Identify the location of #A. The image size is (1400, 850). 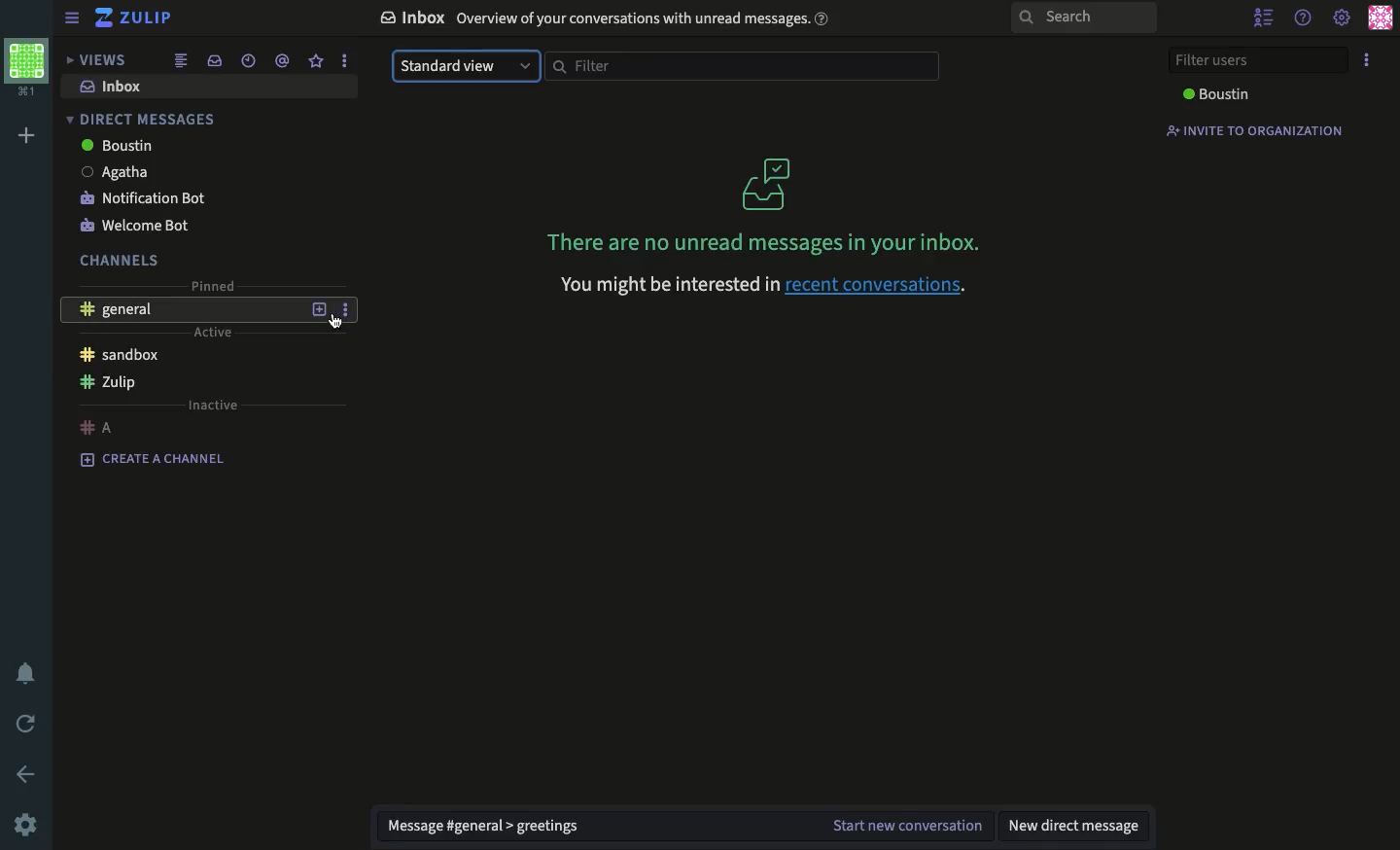
(94, 427).